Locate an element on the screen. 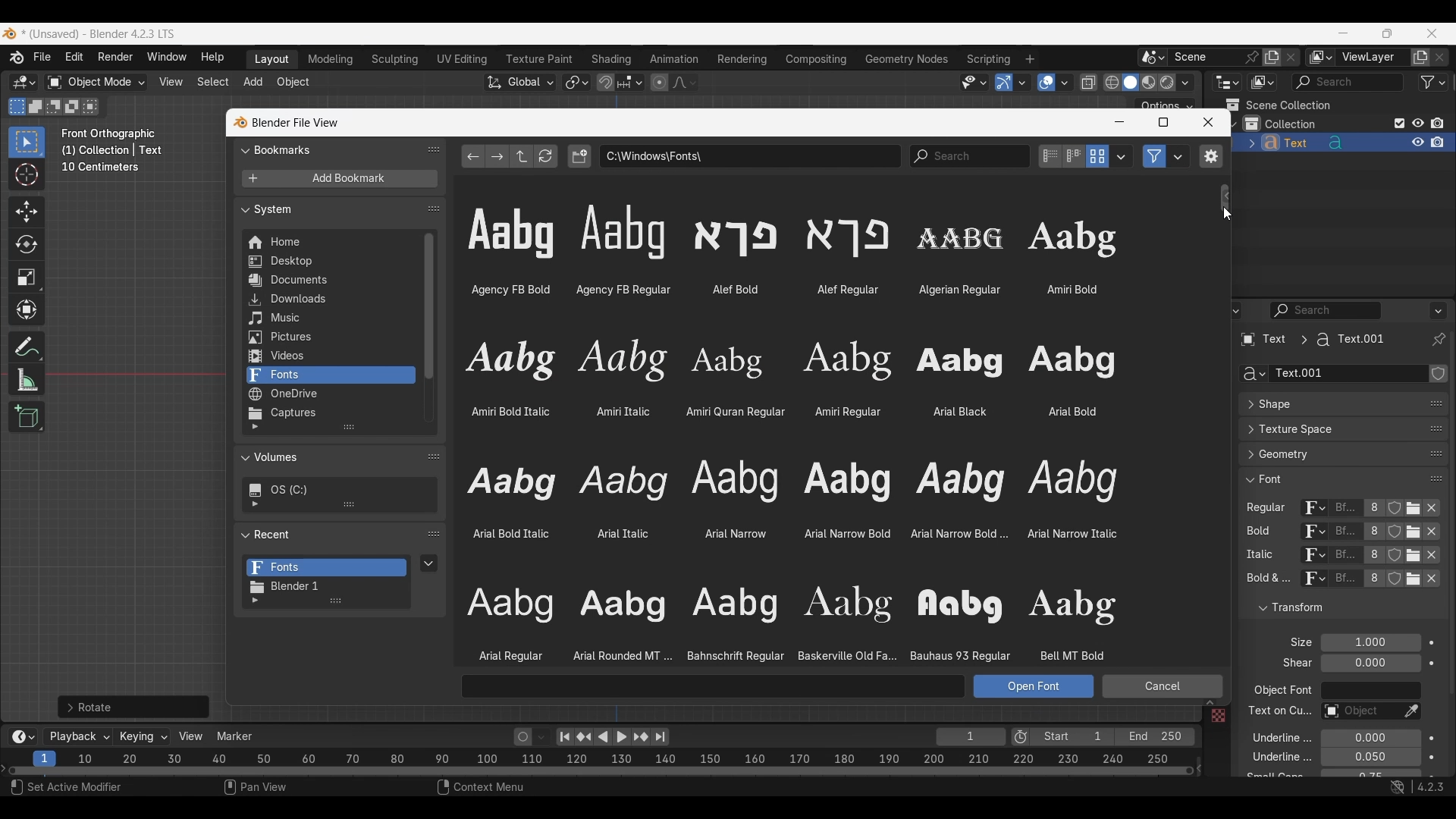  Font options is located at coordinates (792, 432).